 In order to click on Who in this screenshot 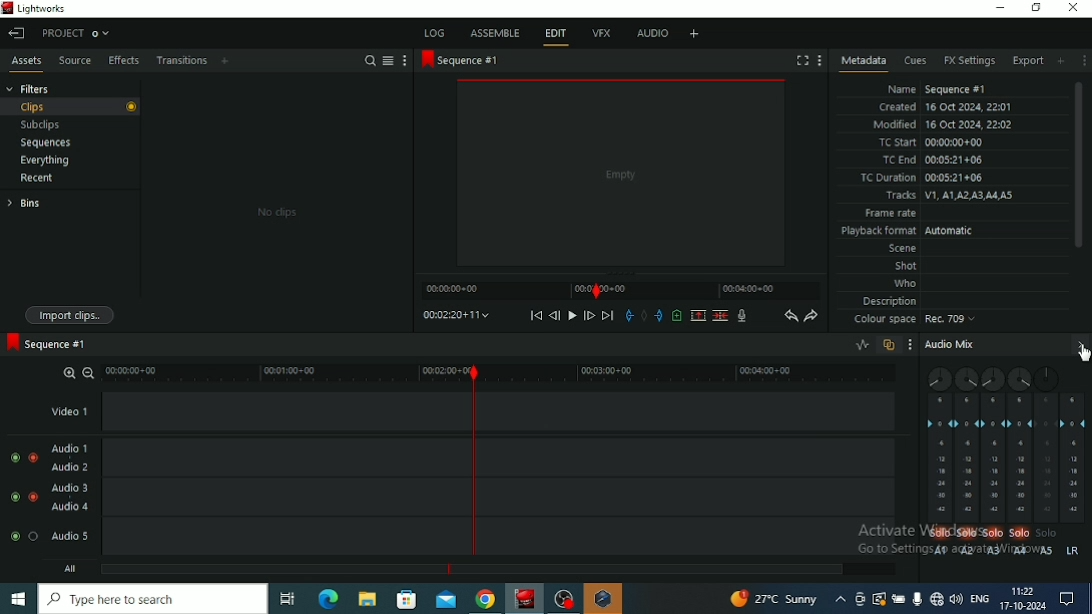, I will do `click(904, 283)`.